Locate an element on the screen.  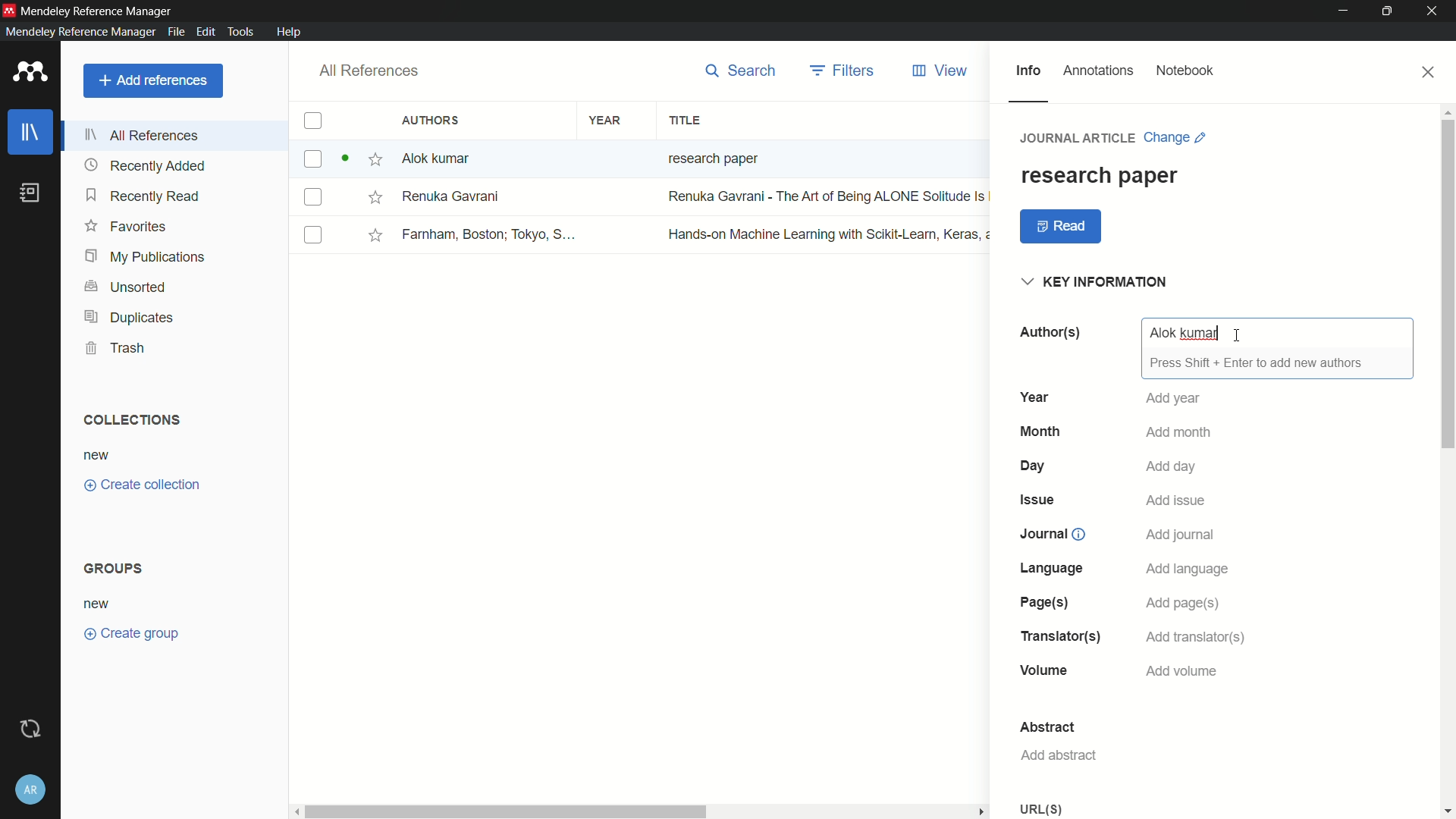
duplicates is located at coordinates (128, 318).